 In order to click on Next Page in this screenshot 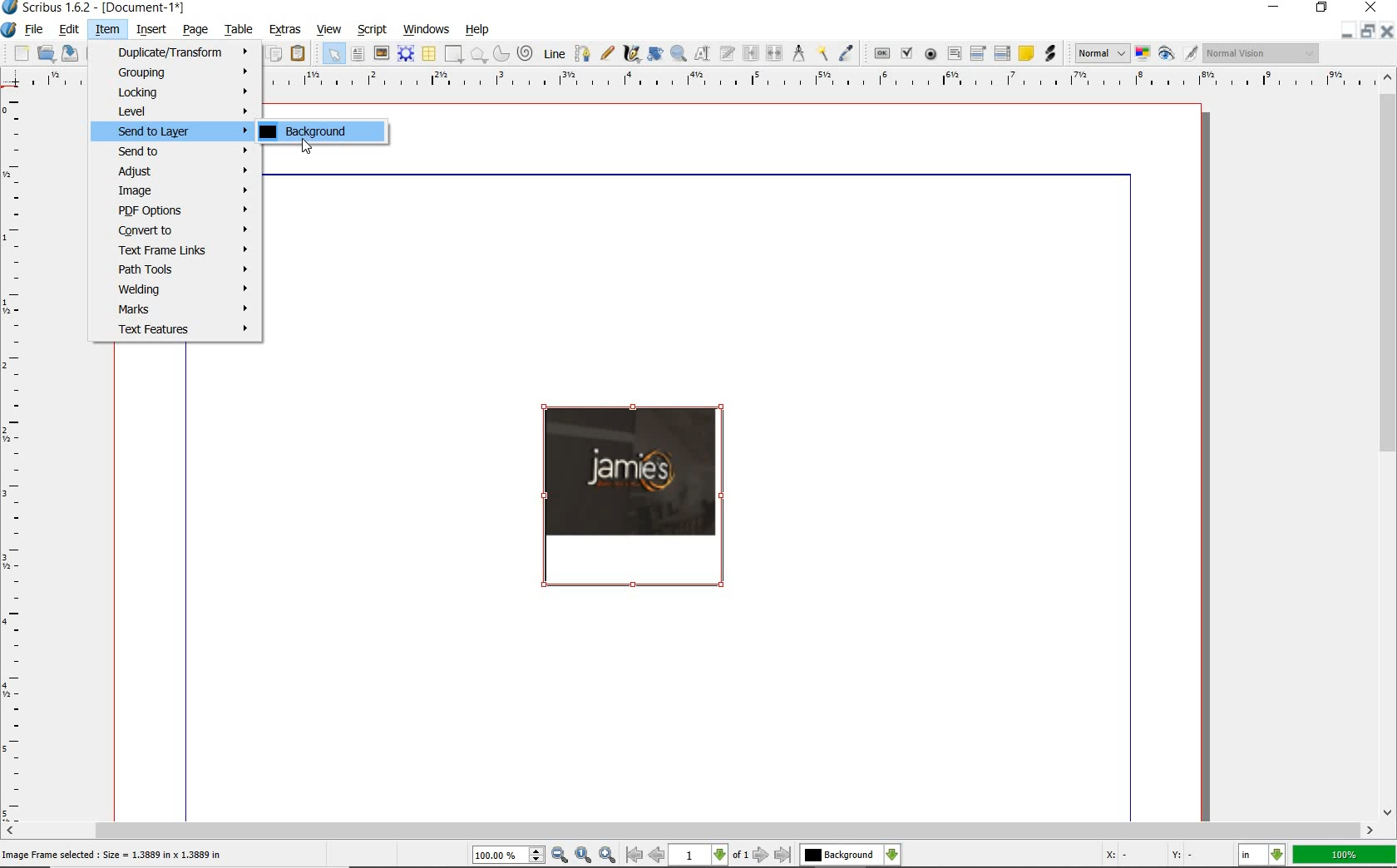, I will do `click(762, 856)`.